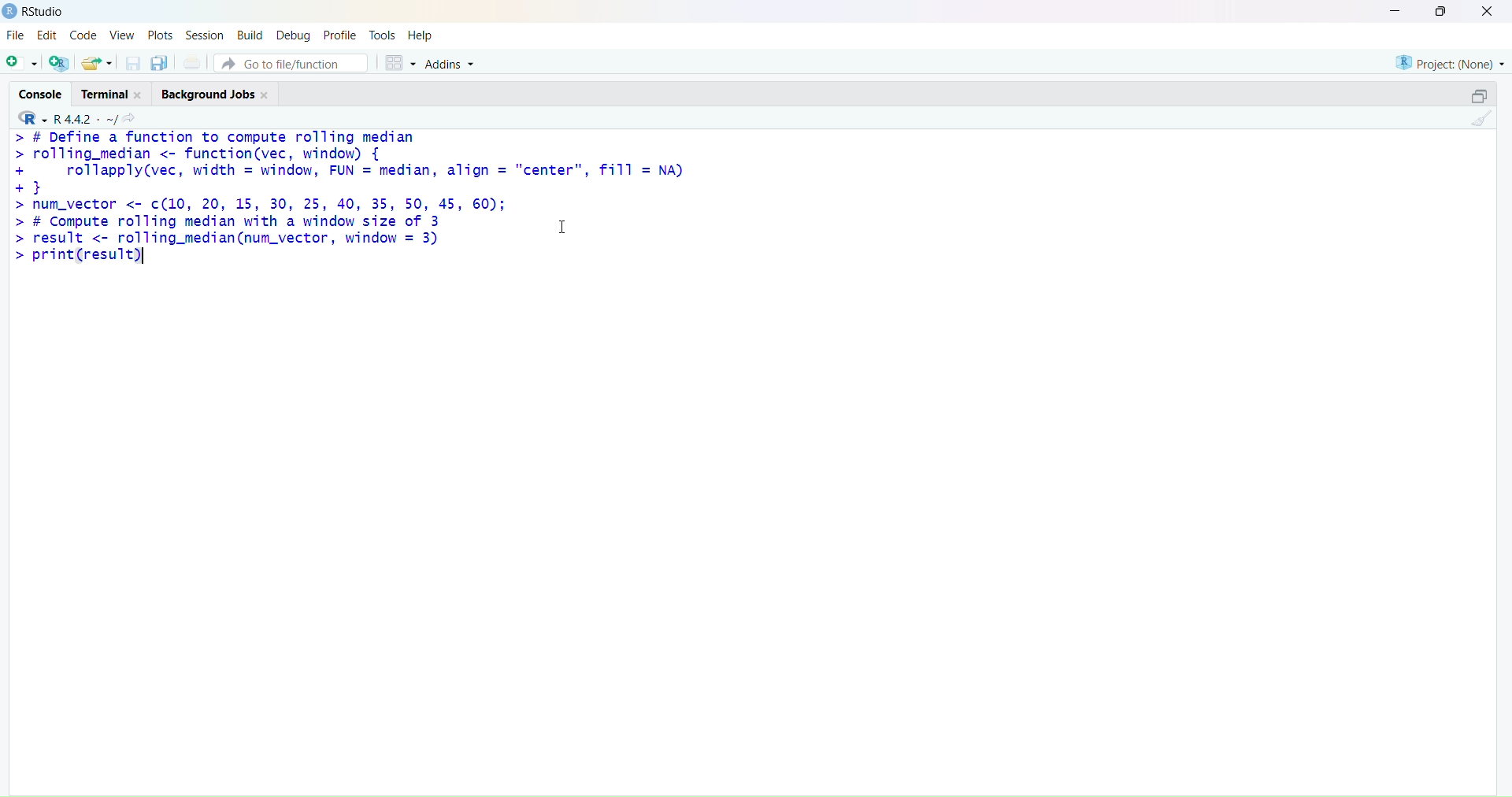 This screenshot has height=797, width=1512. Describe the element at coordinates (1488, 10) in the screenshot. I see `close` at that location.